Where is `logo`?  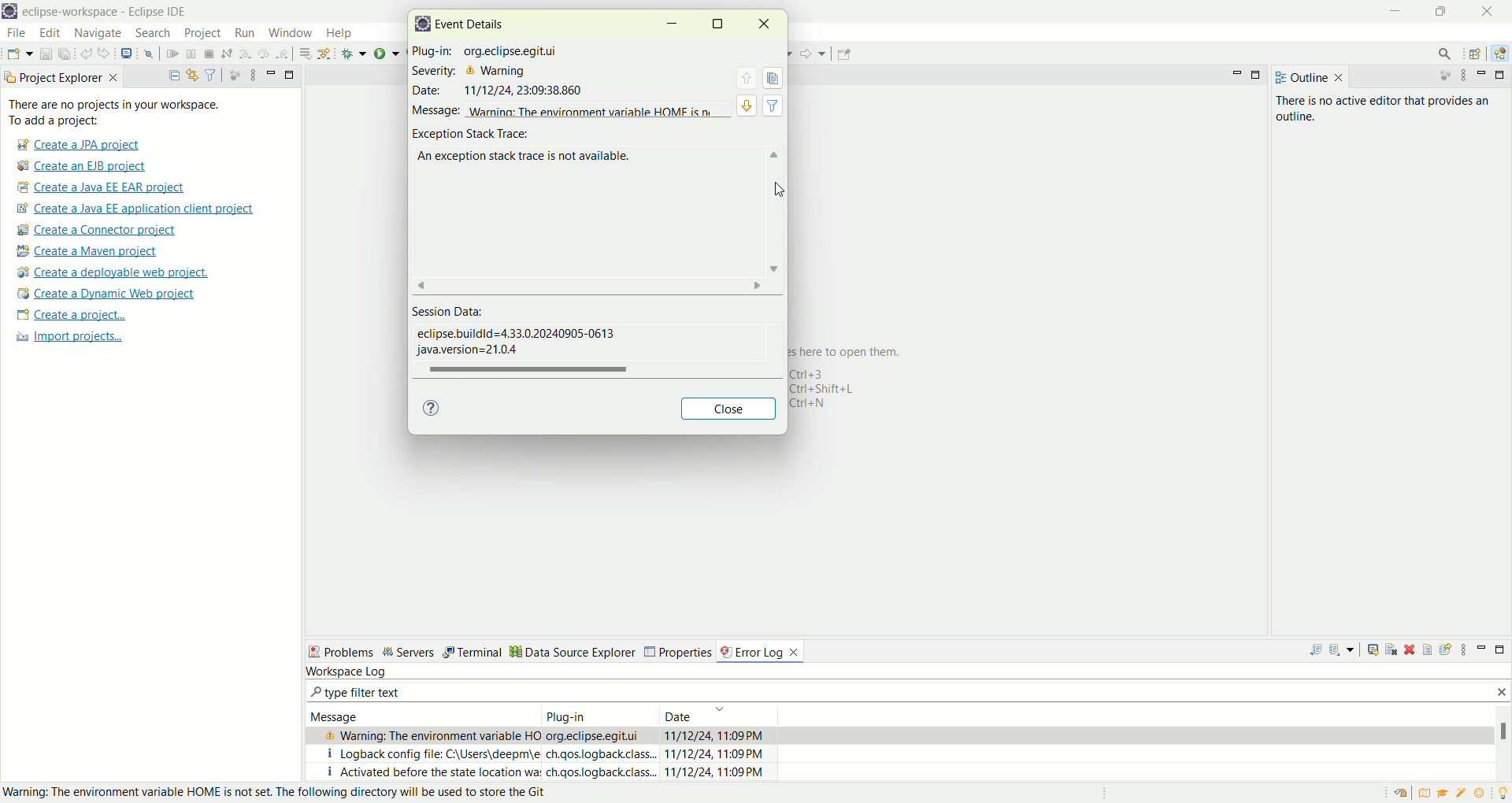 logo is located at coordinates (420, 26).